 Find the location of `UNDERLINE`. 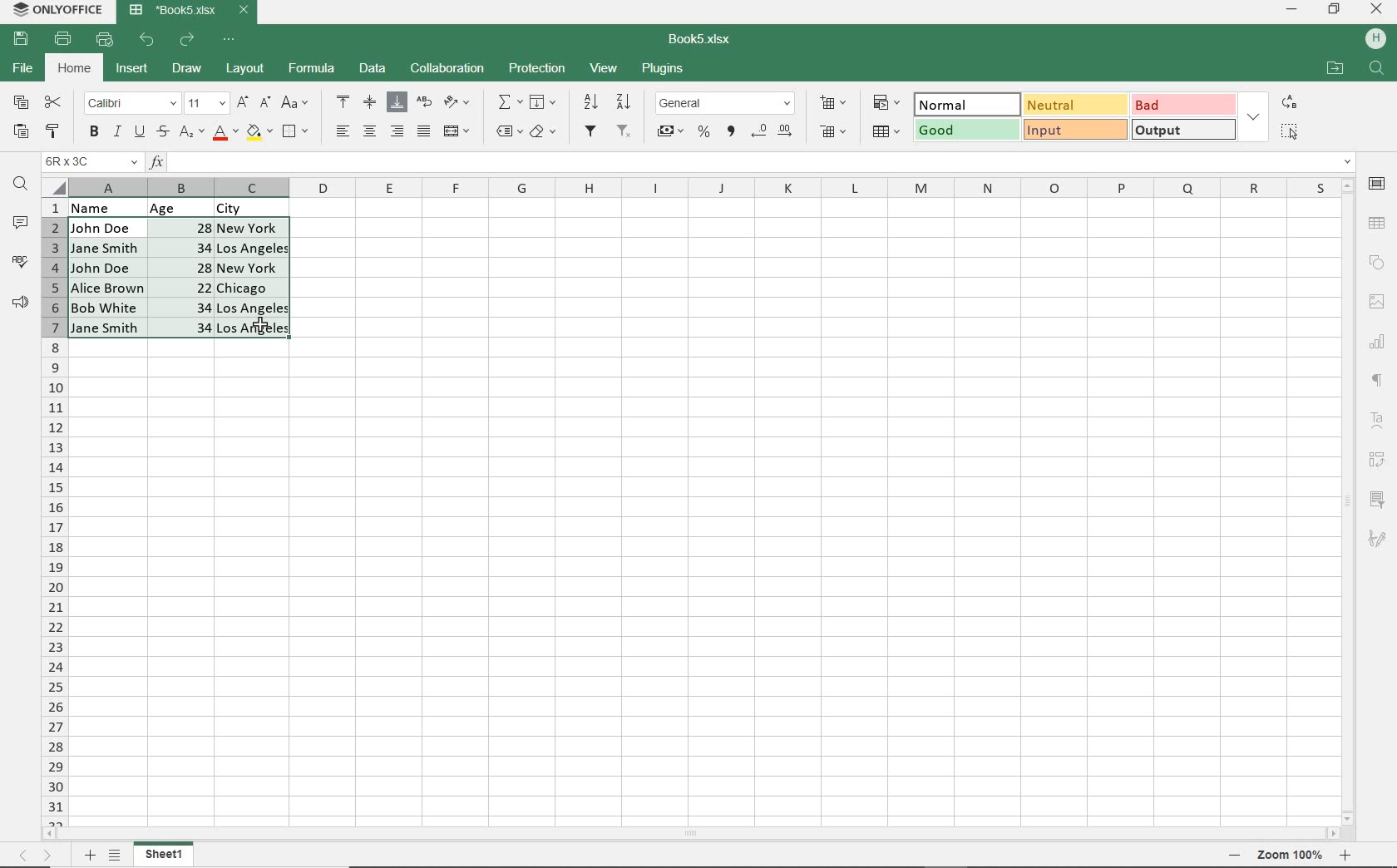

UNDERLINE is located at coordinates (138, 132).